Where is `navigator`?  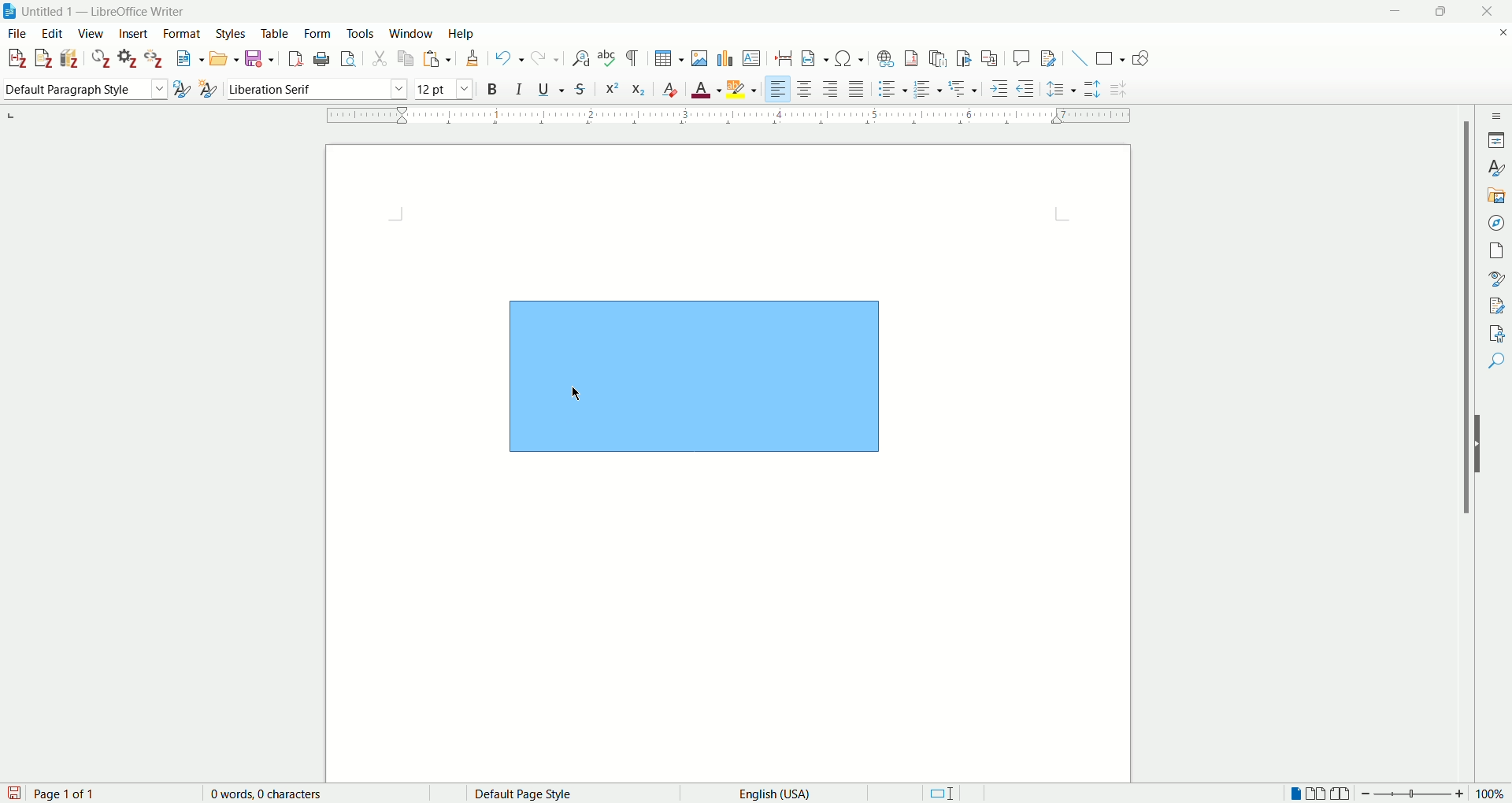
navigator is located at coordinates (1494, 223).